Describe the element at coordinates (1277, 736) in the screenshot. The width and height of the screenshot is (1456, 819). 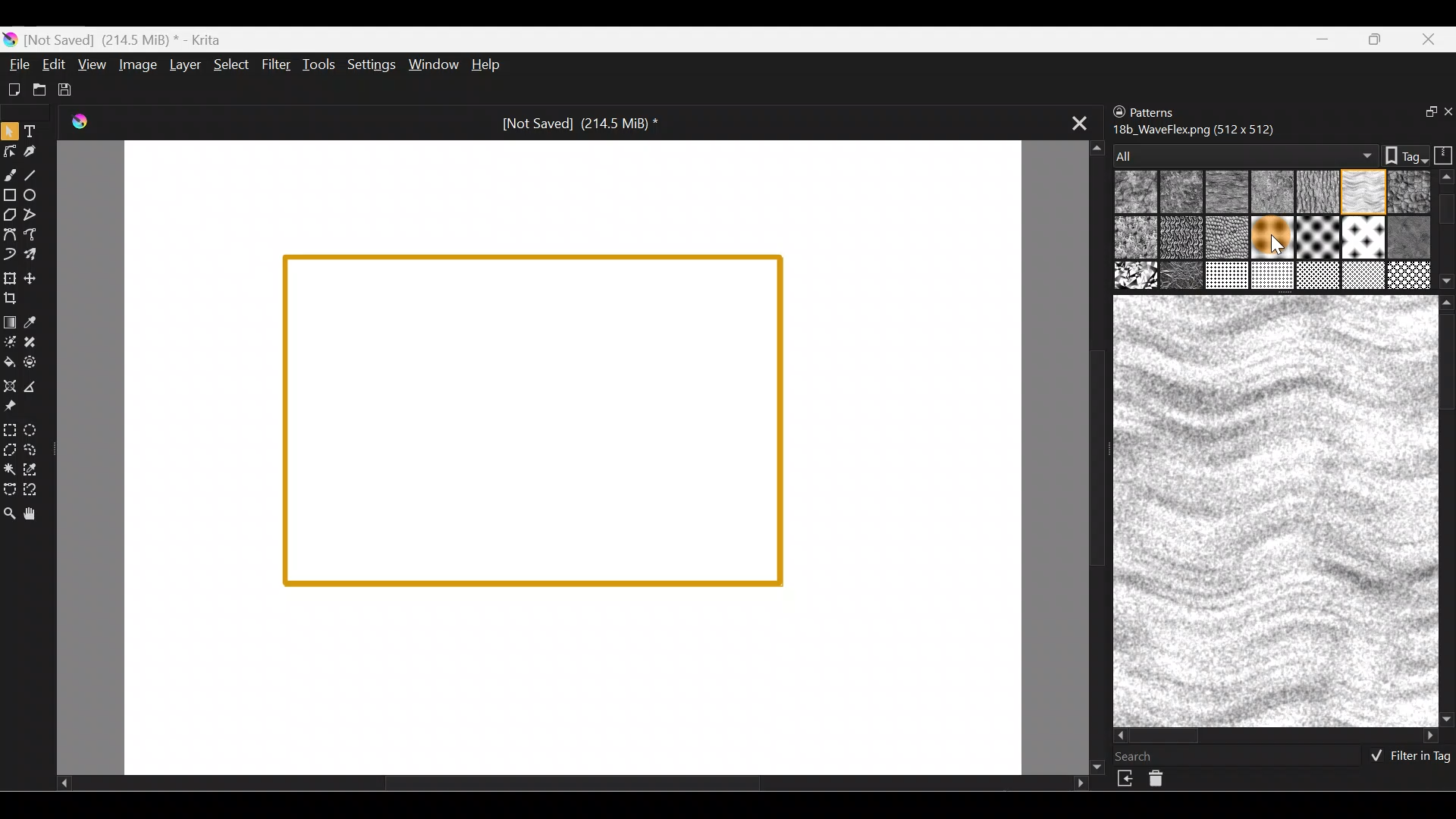
I see `Scroll bar` at that location.